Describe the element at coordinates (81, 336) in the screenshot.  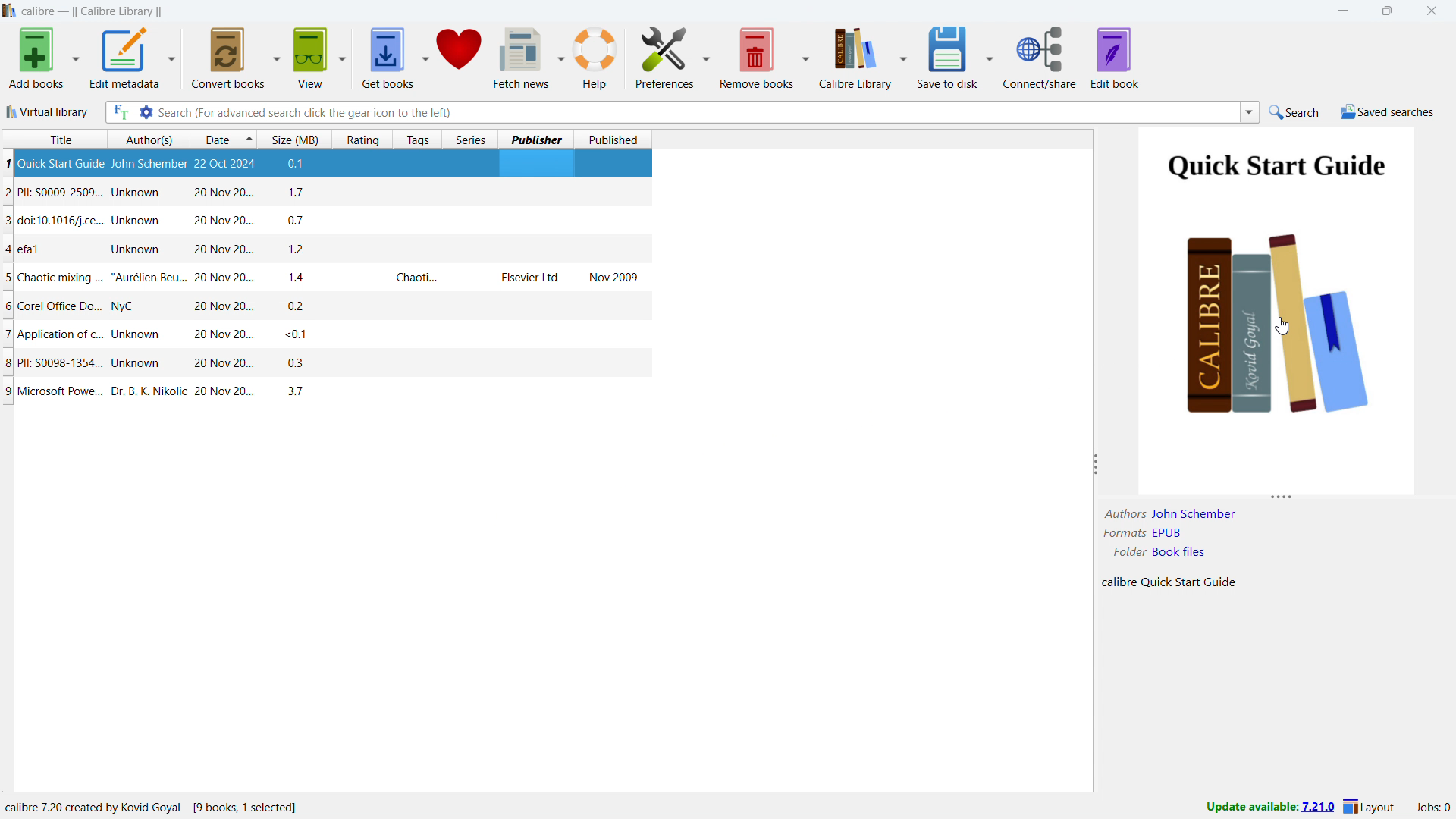
I see `Application of c... Unknown` at that location.